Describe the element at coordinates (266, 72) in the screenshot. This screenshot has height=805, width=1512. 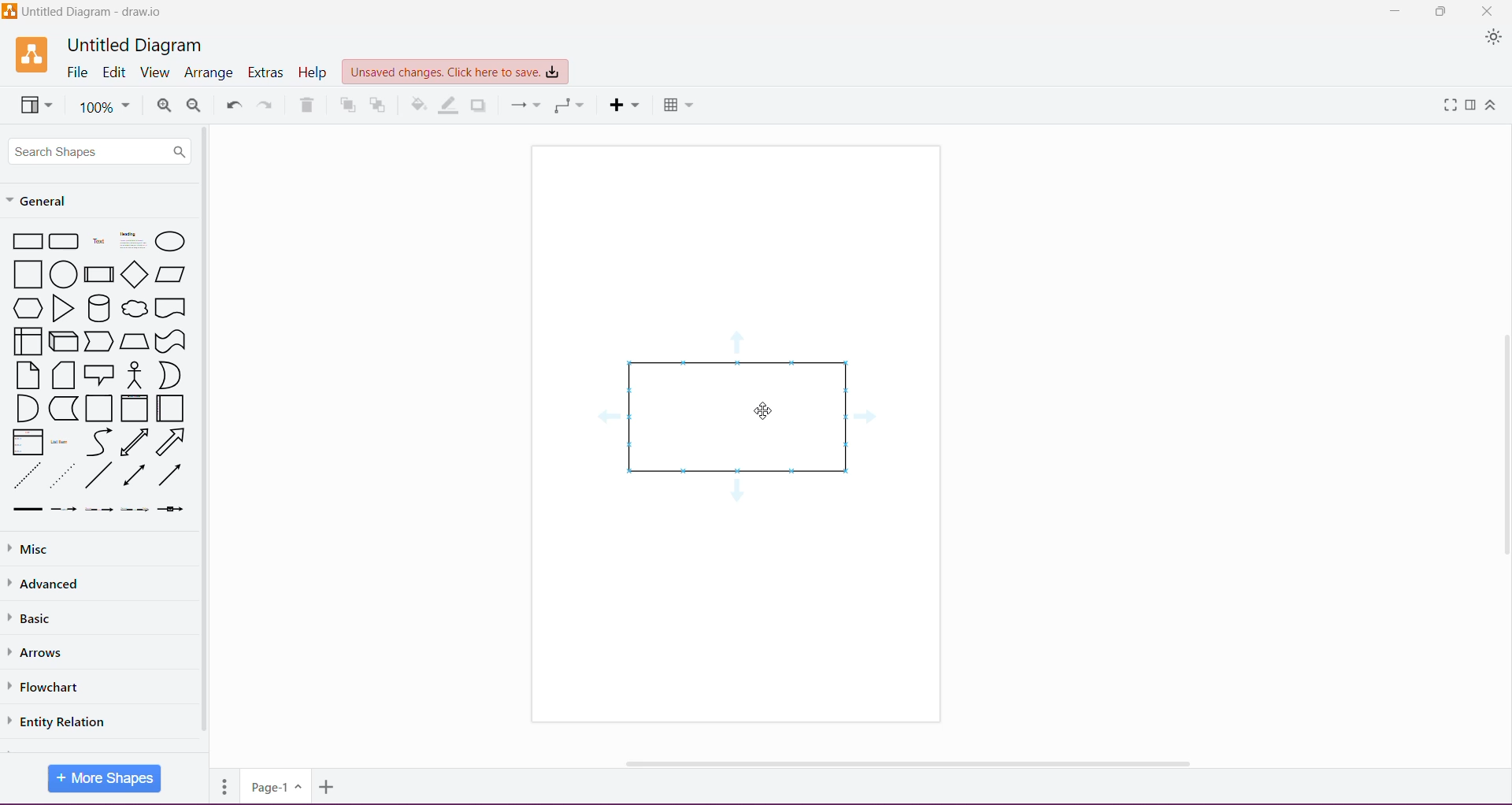
I see `Extras` at that location.